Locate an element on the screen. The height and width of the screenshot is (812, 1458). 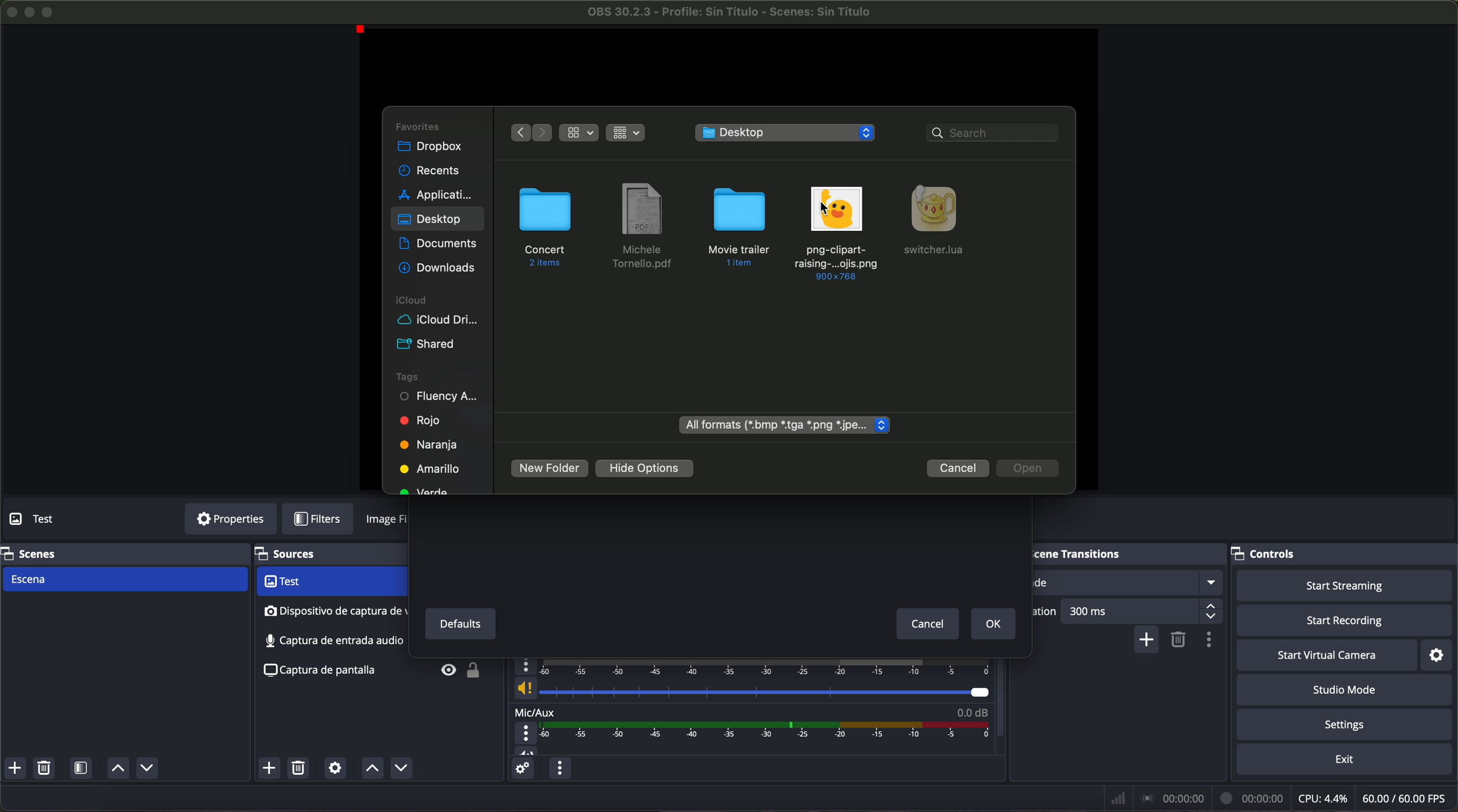
remove selected source is located at coordinates (301, 768).